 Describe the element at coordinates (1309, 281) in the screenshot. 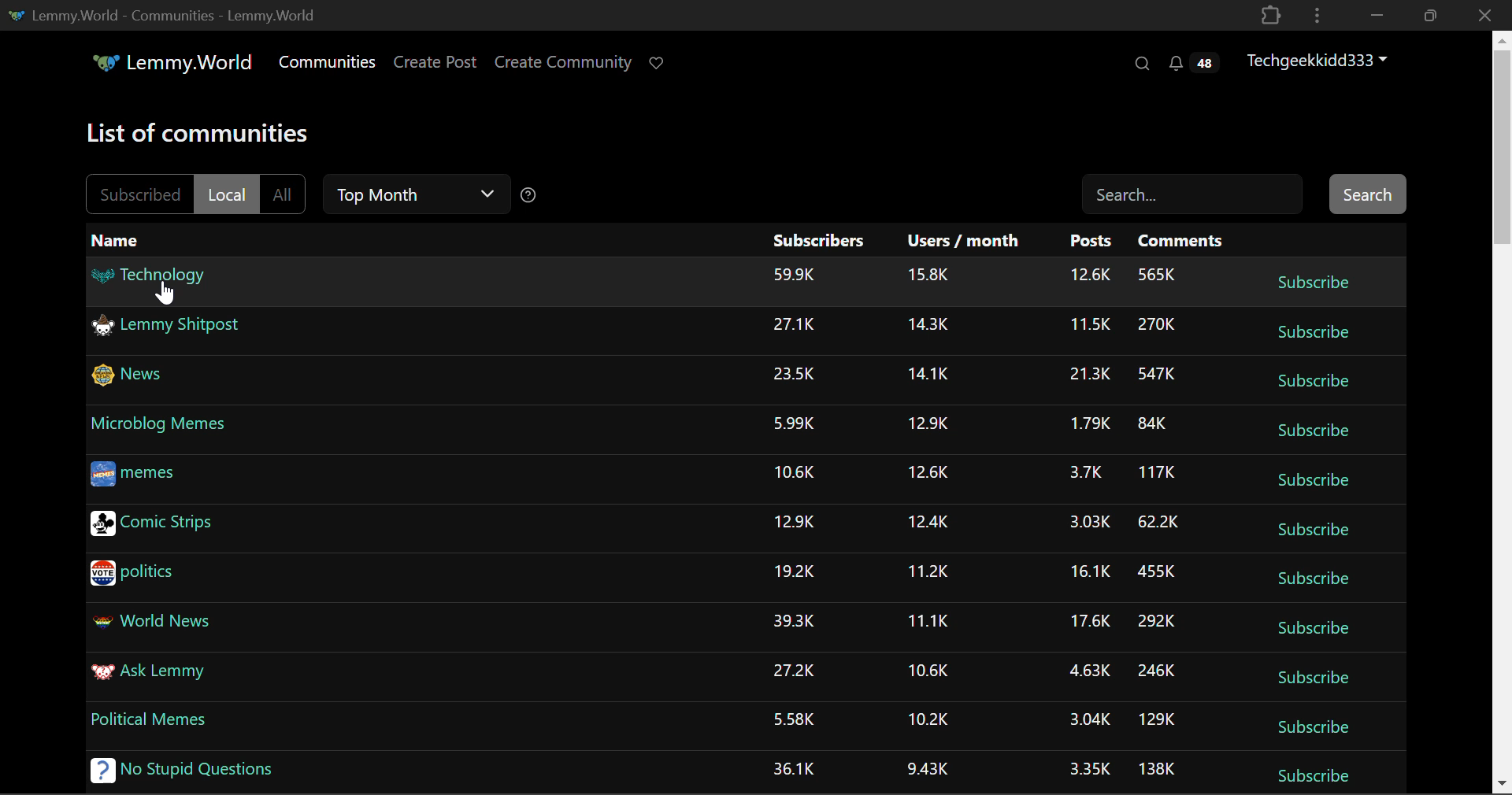

I see `Subscribe` at that location.